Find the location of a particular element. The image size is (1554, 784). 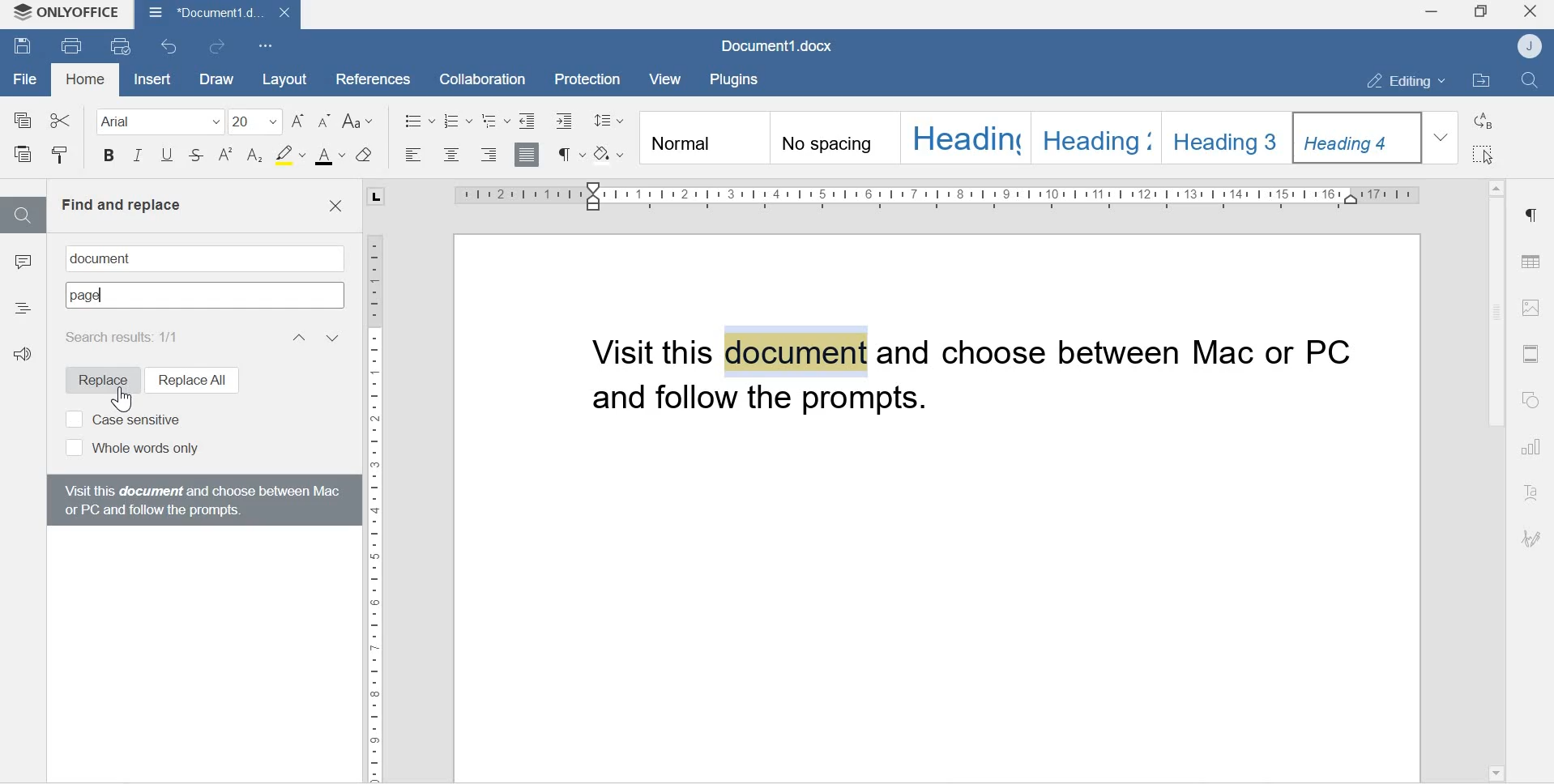

document is located at coordinates (107, 258).